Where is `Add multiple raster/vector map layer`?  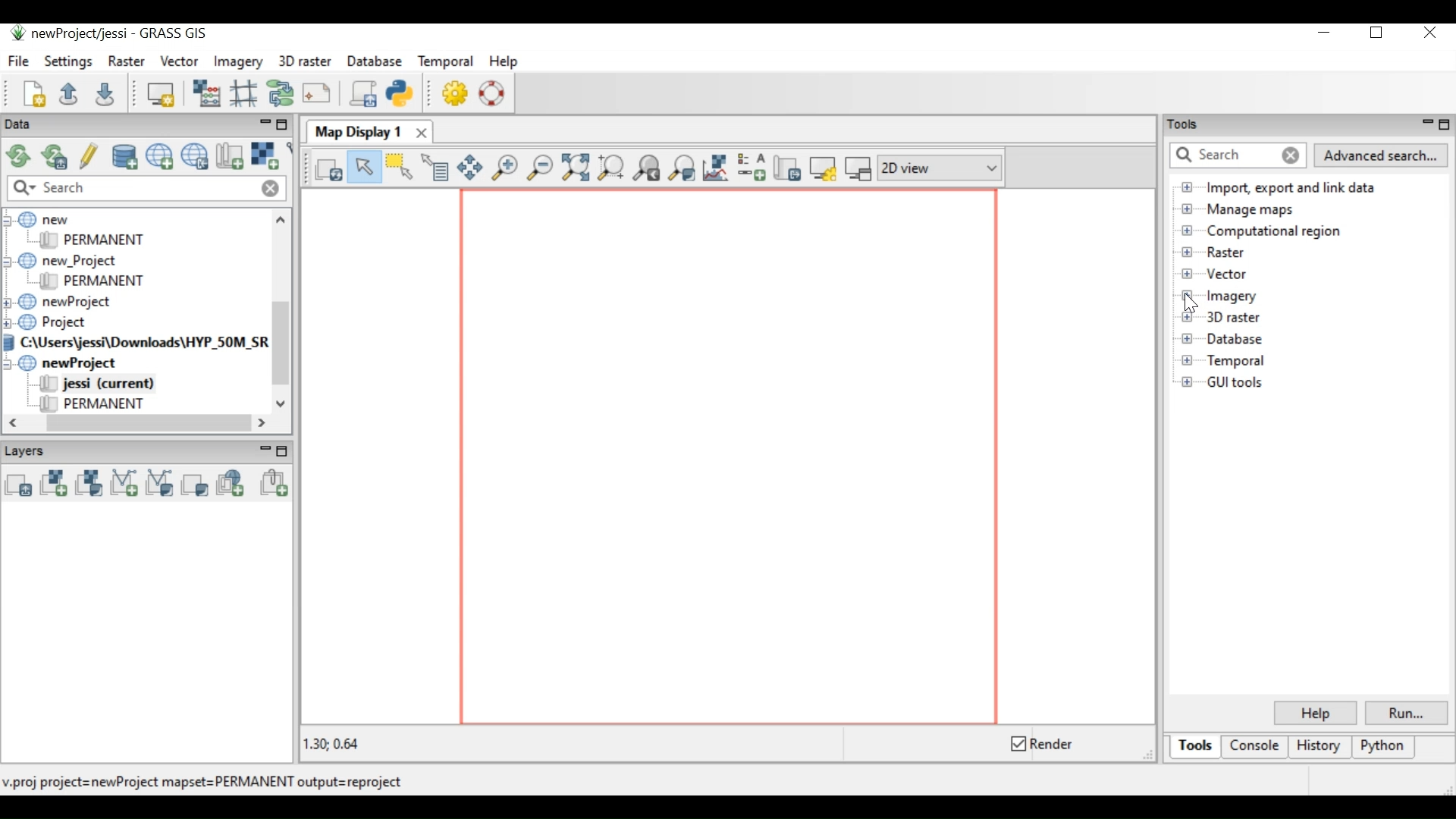 Add multiple raster/vector map layer is located at coordinates (15, 484).